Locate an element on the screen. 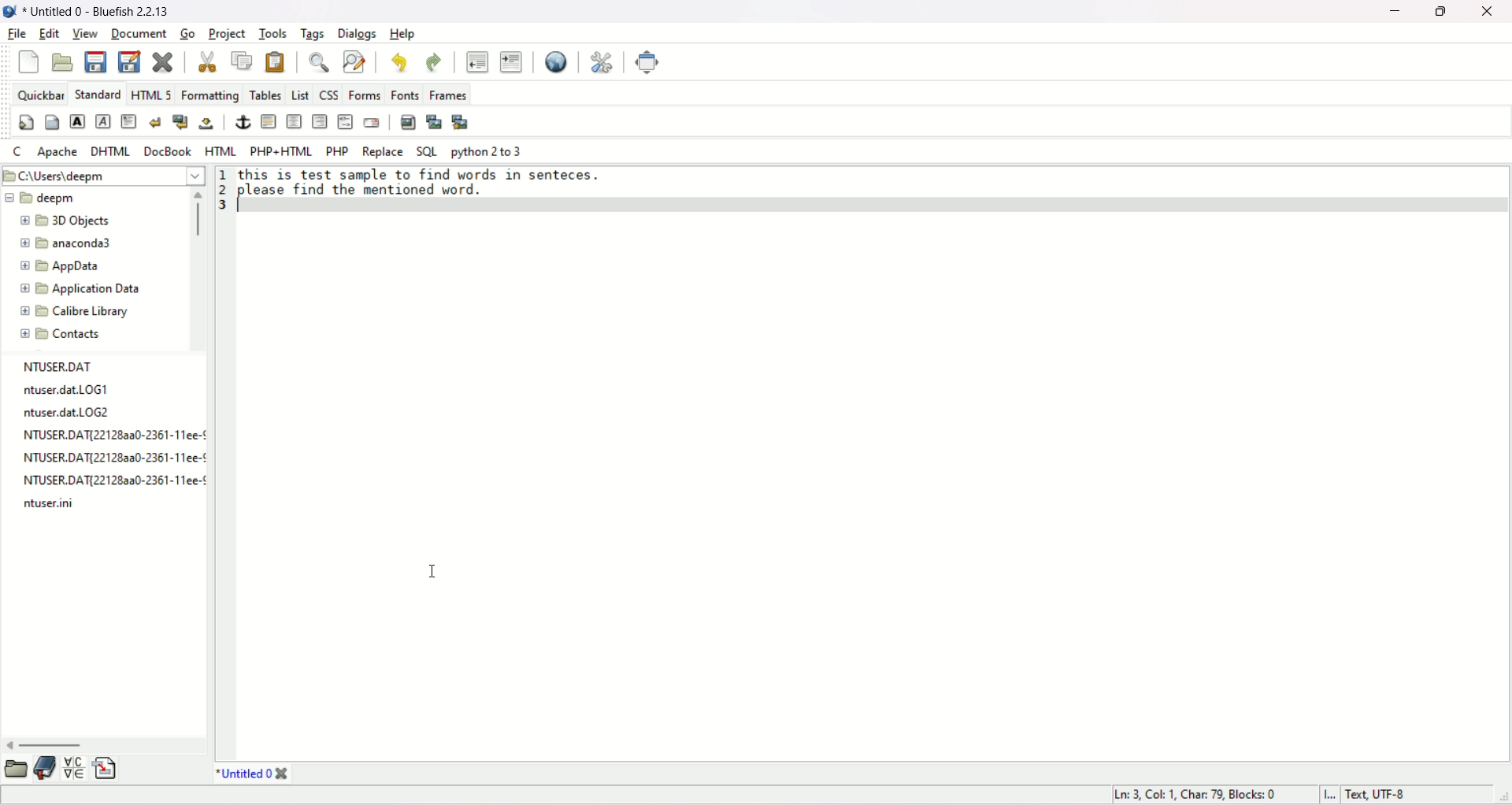  redo is located at coordinates (435, 61).